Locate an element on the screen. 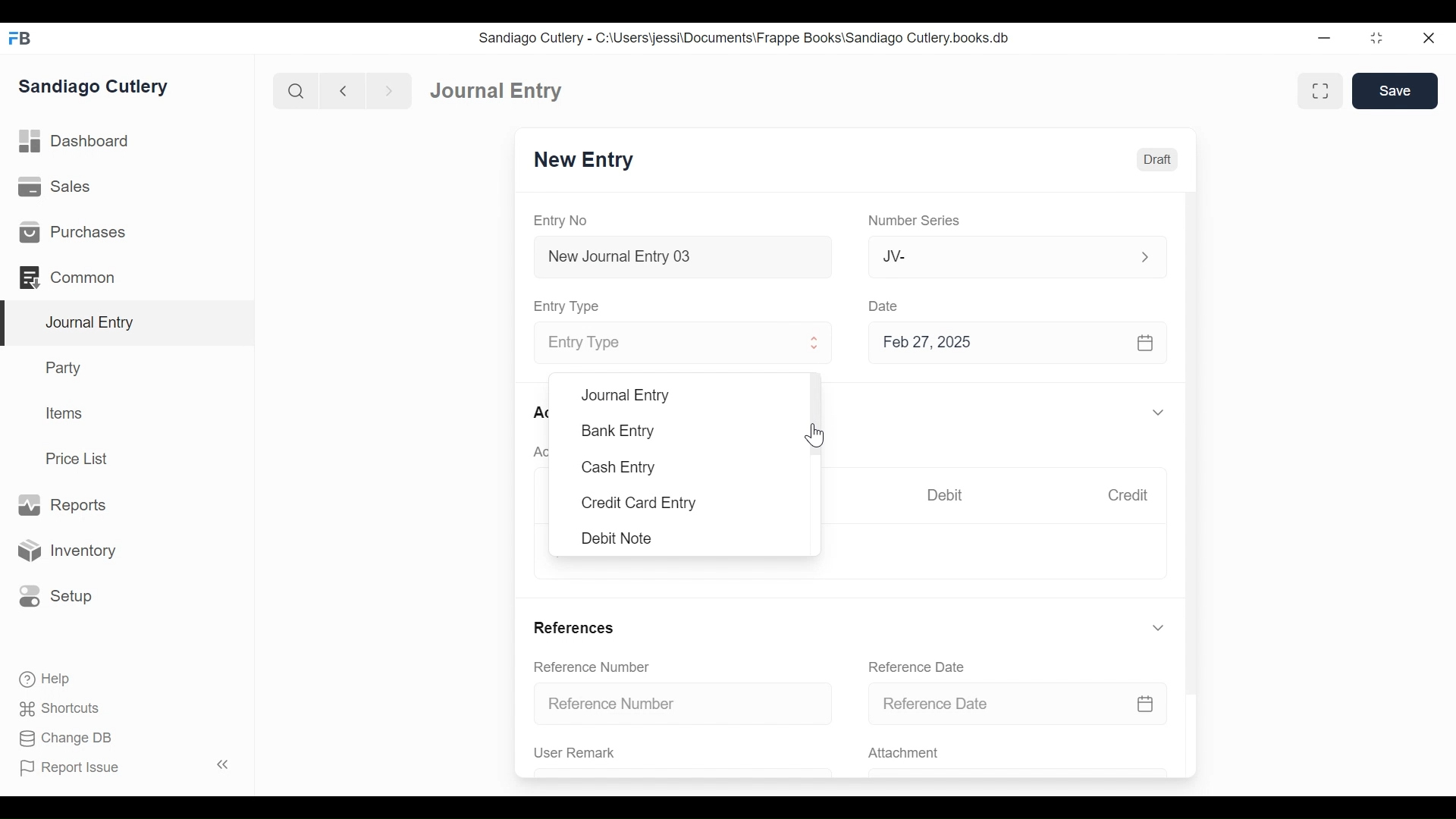  Search is located at coordinates (294, 90).